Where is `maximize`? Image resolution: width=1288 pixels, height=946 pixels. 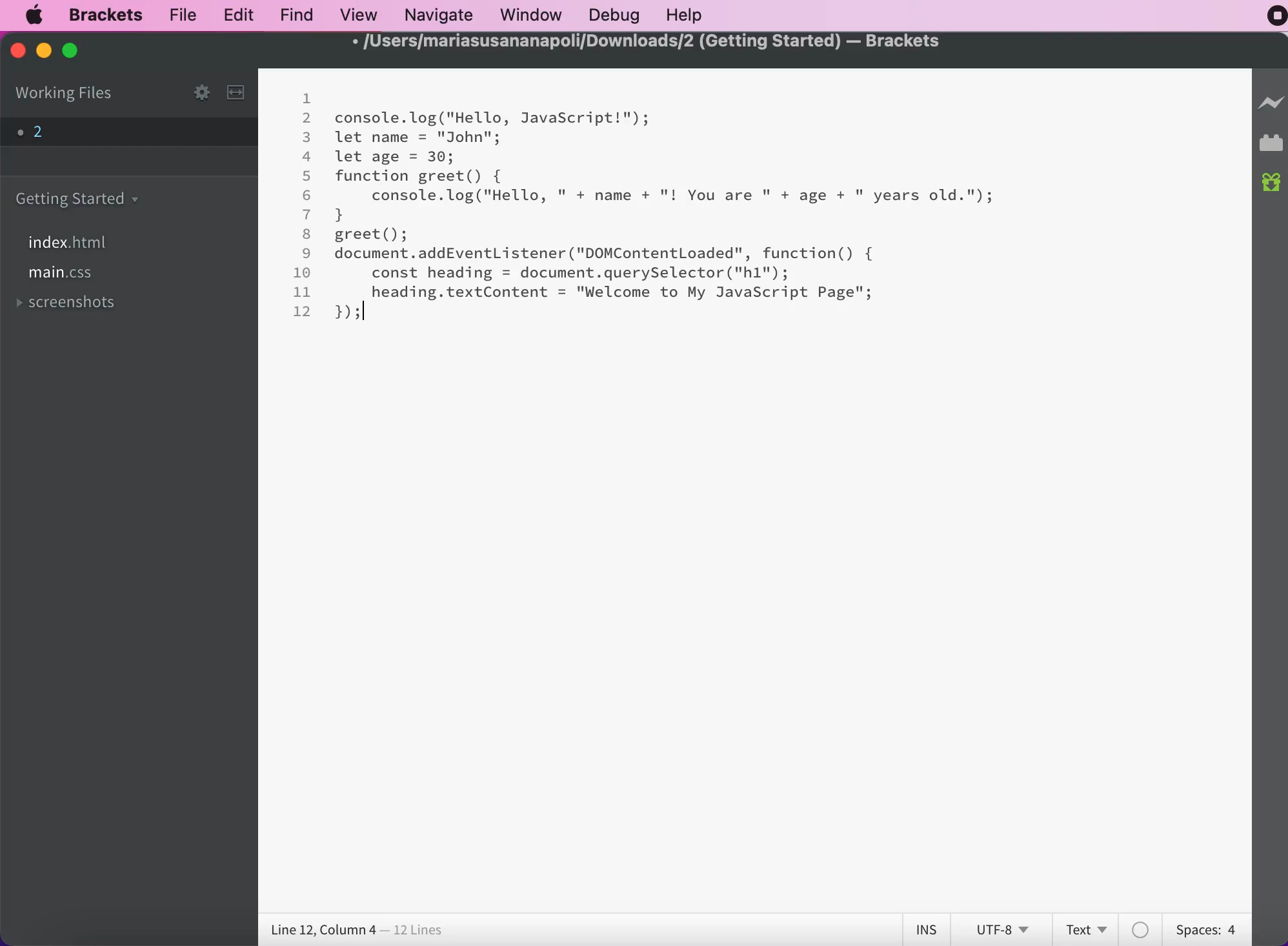
maximize is located at coordinates (75, 53).